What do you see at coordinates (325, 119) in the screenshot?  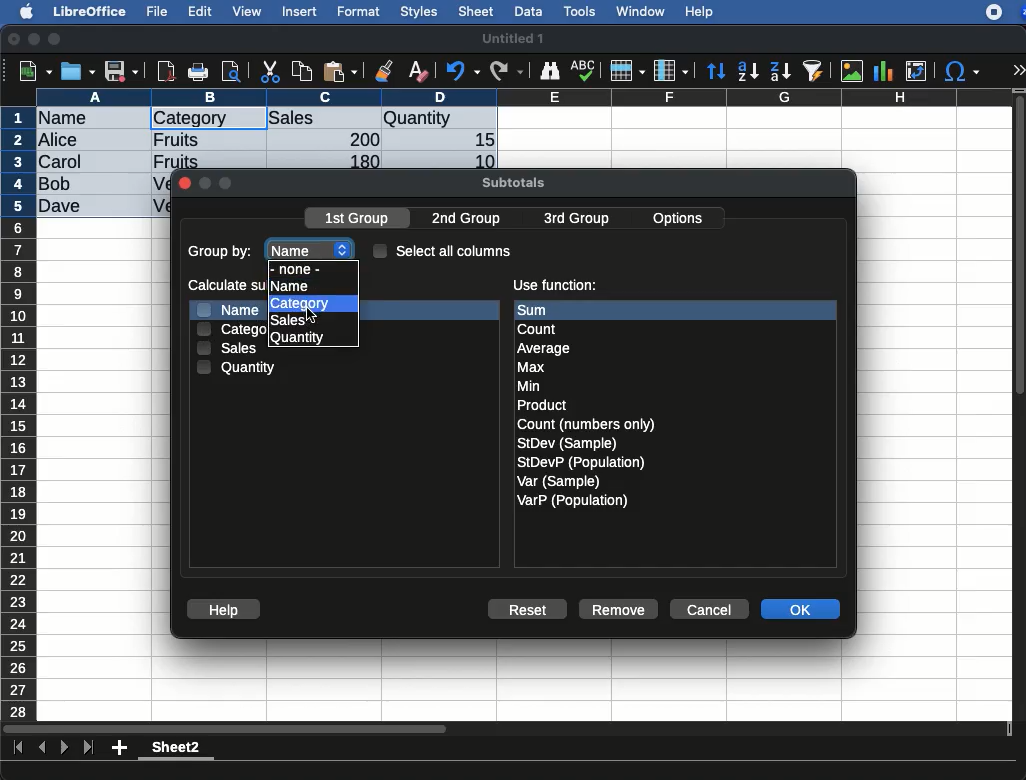 I see `sales` at bounding box center [325, 119].